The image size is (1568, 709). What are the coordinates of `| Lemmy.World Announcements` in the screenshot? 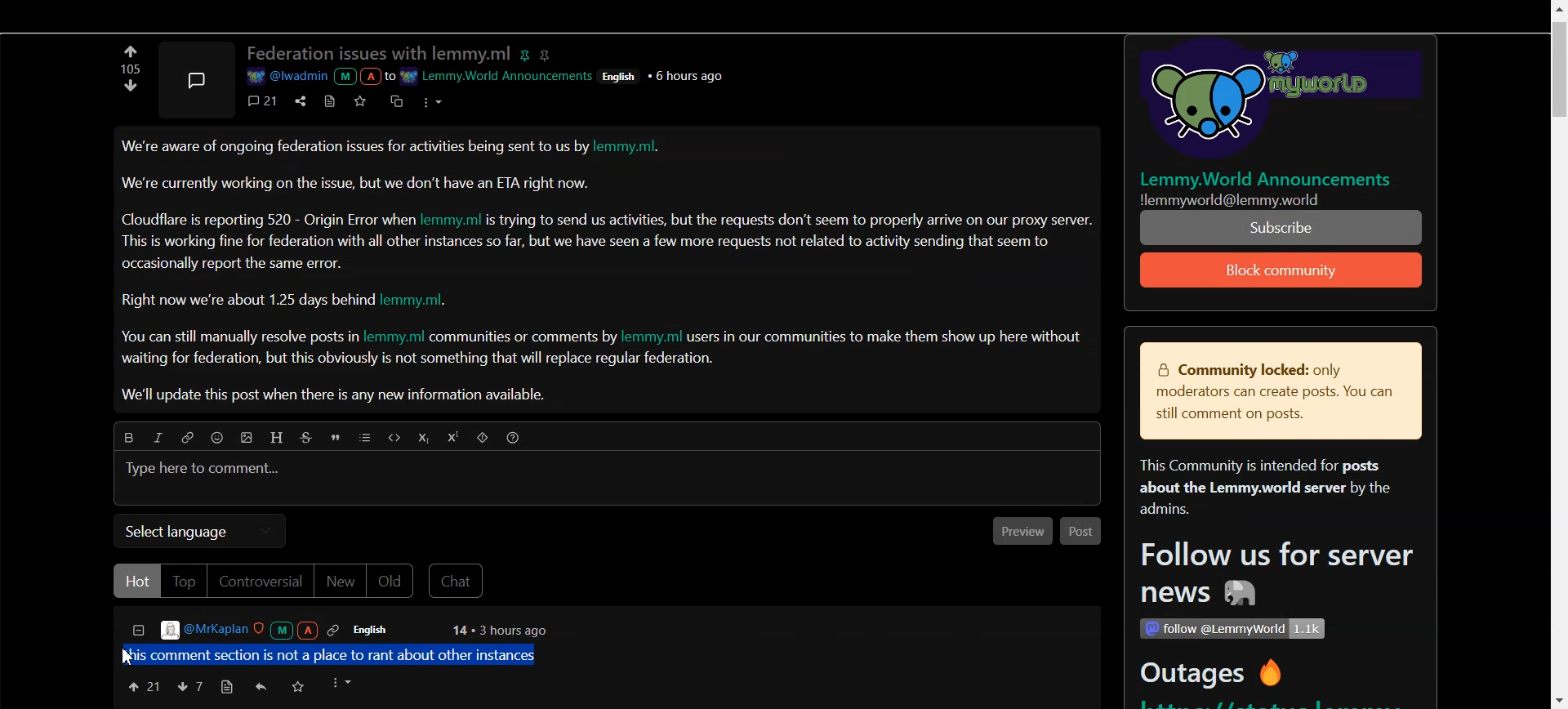 It's located at (1273, 179).